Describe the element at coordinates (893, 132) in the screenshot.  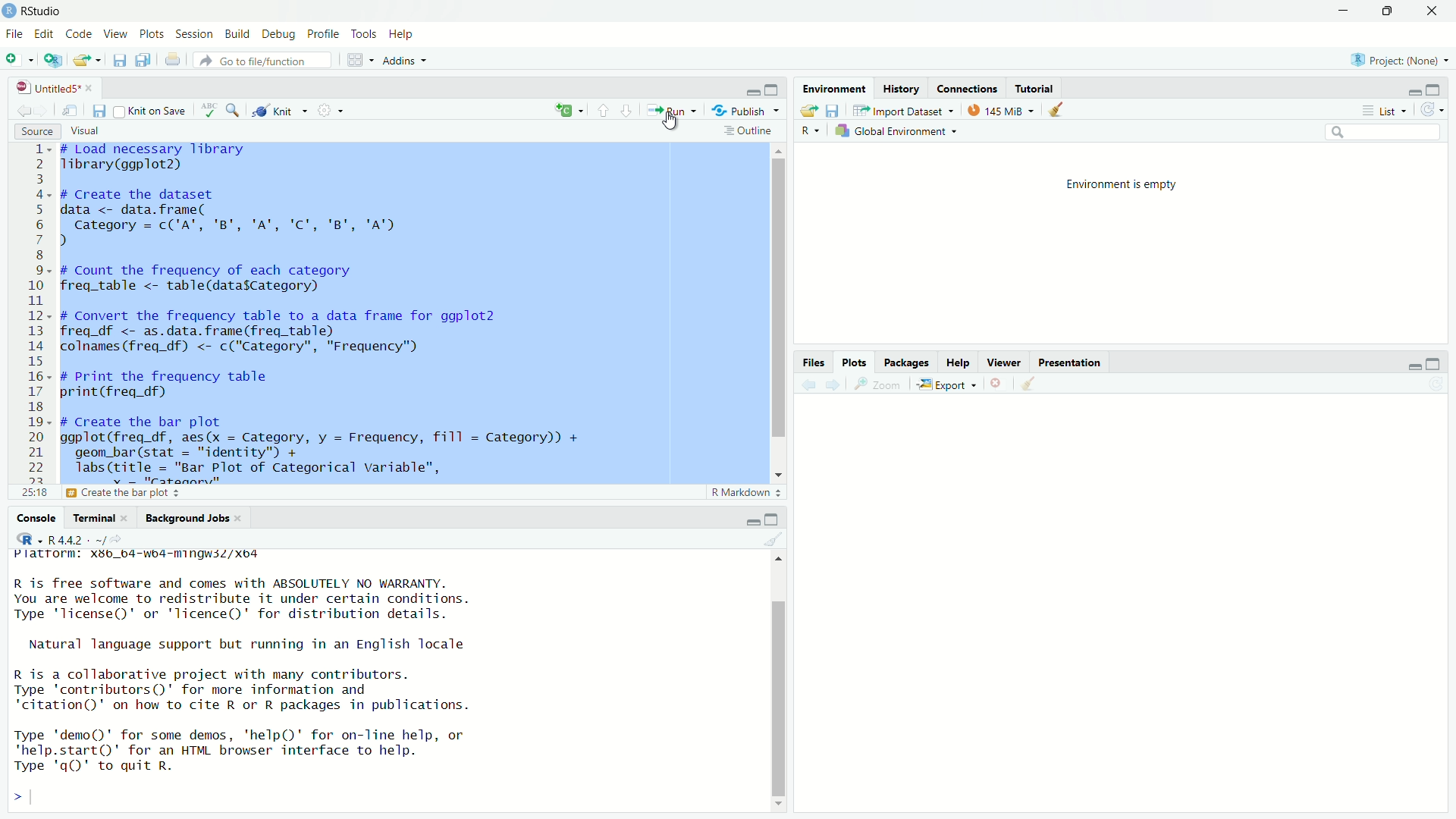
I see `Global Environment` at that location.